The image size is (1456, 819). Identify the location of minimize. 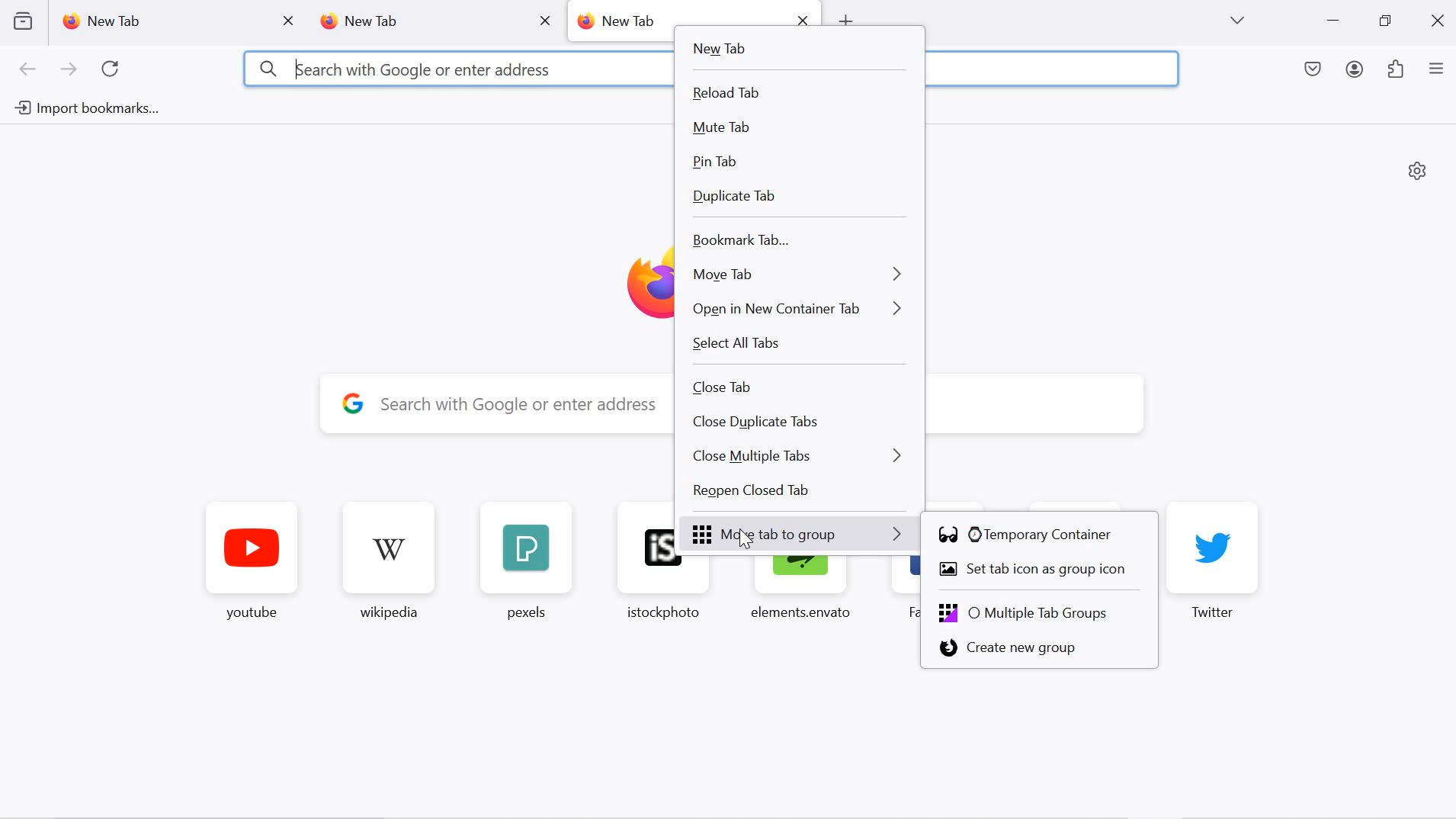
(1333, 22).